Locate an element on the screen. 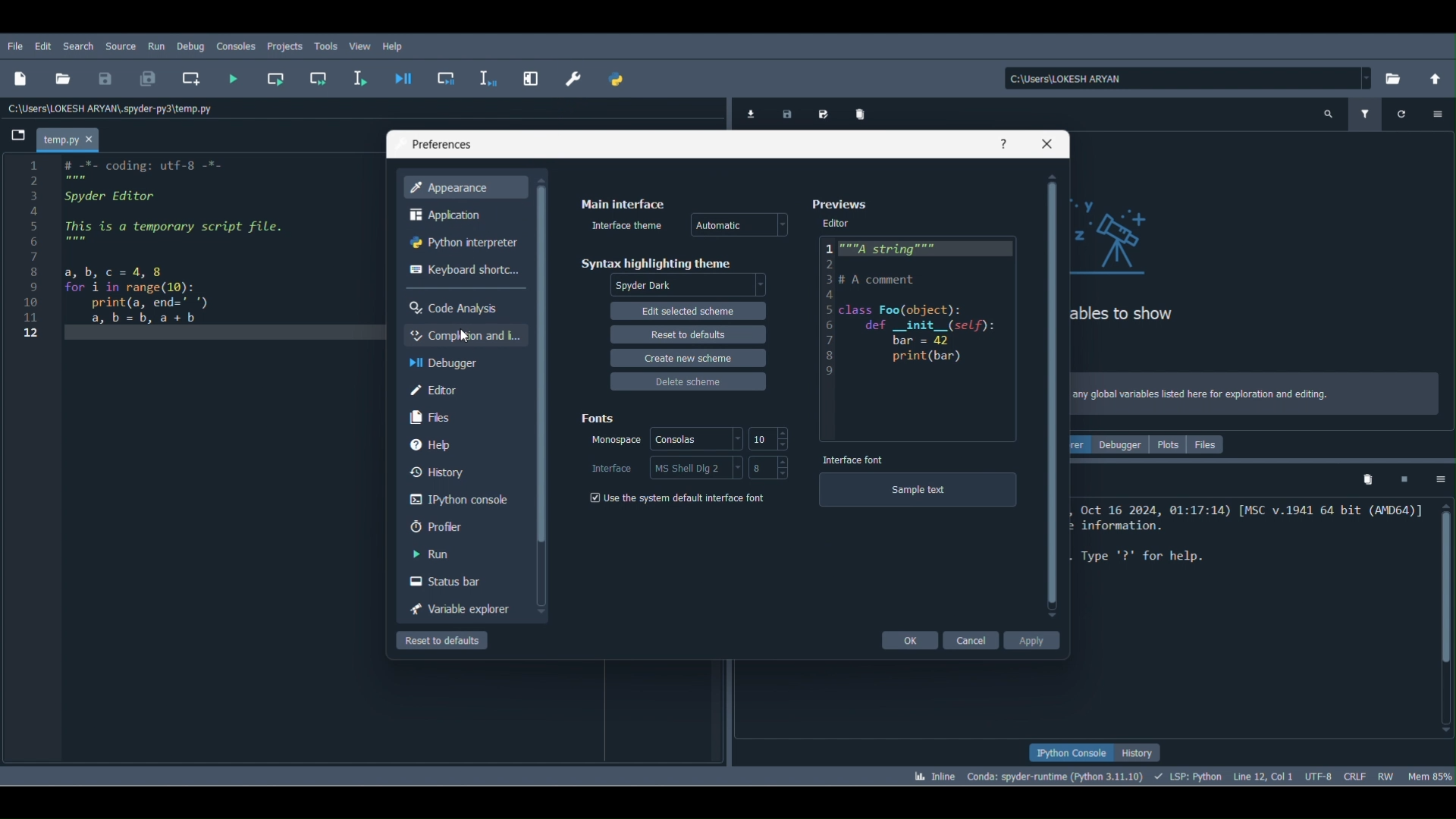  Debug file ( Ctrl + F5) is located at coordinates (409, 78).